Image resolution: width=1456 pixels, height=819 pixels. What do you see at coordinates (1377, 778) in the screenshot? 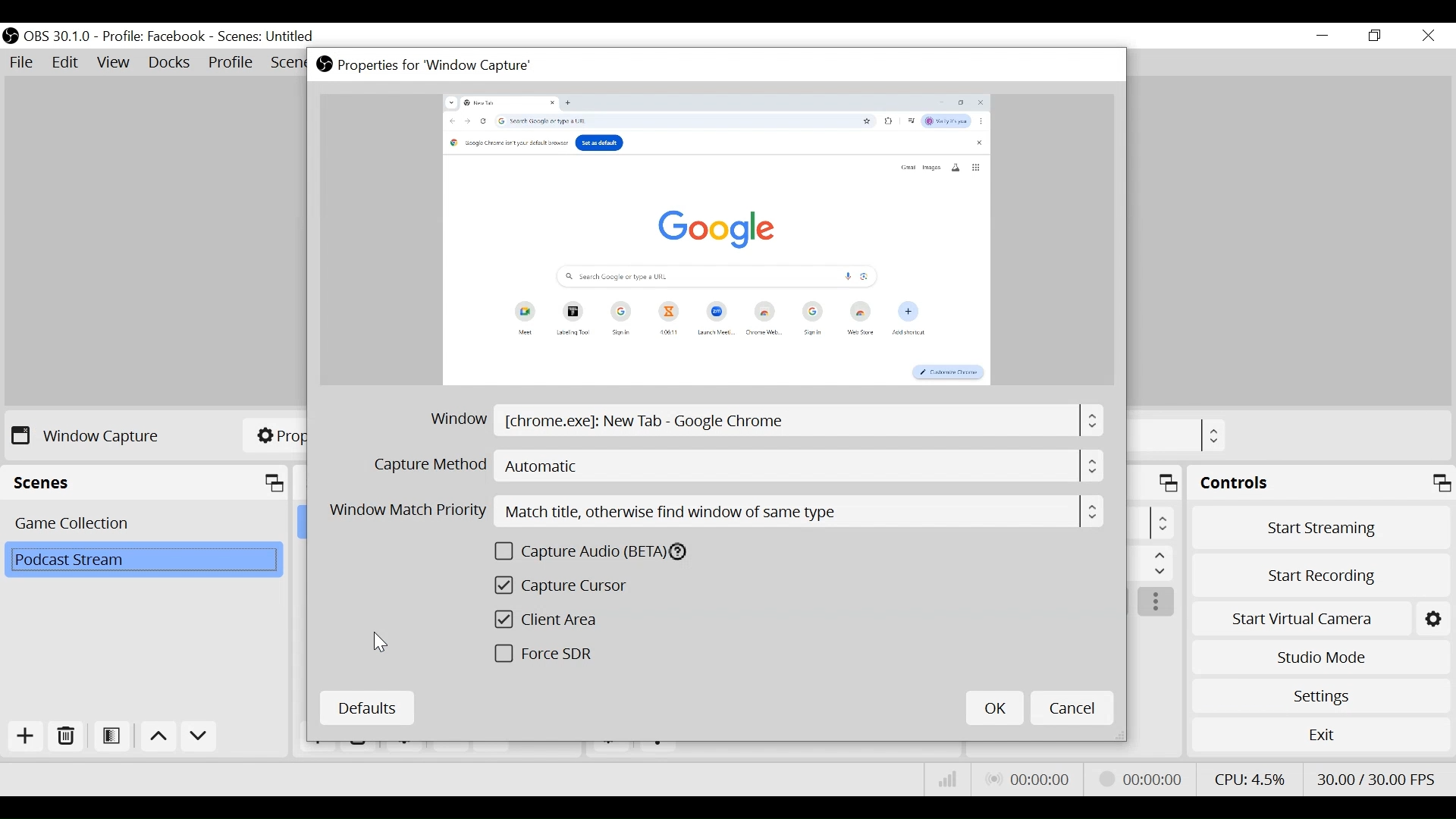
I see `Frame Per Second` at bounding box center [1377, 778].